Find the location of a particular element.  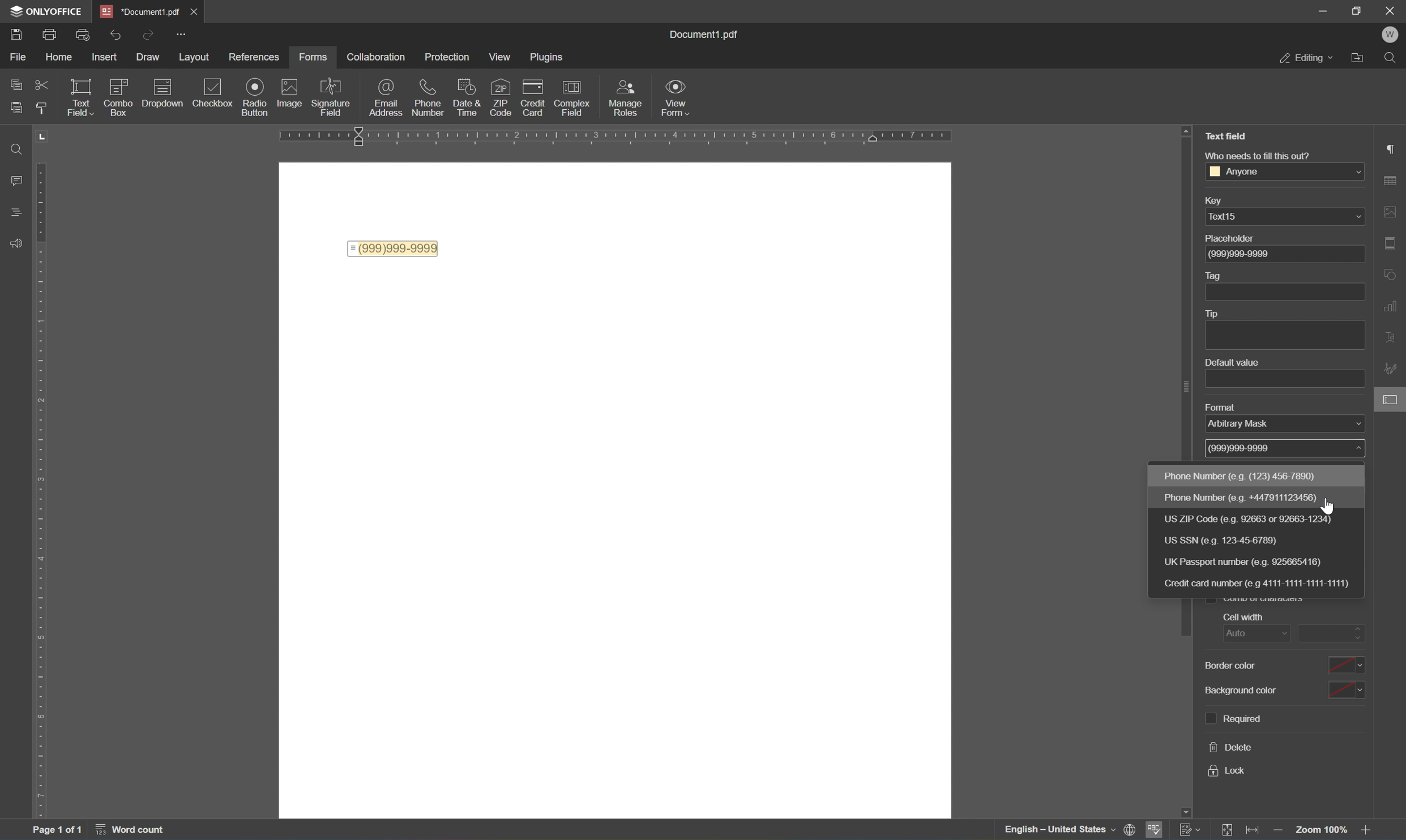

redo is located at coordinates (149, 35).